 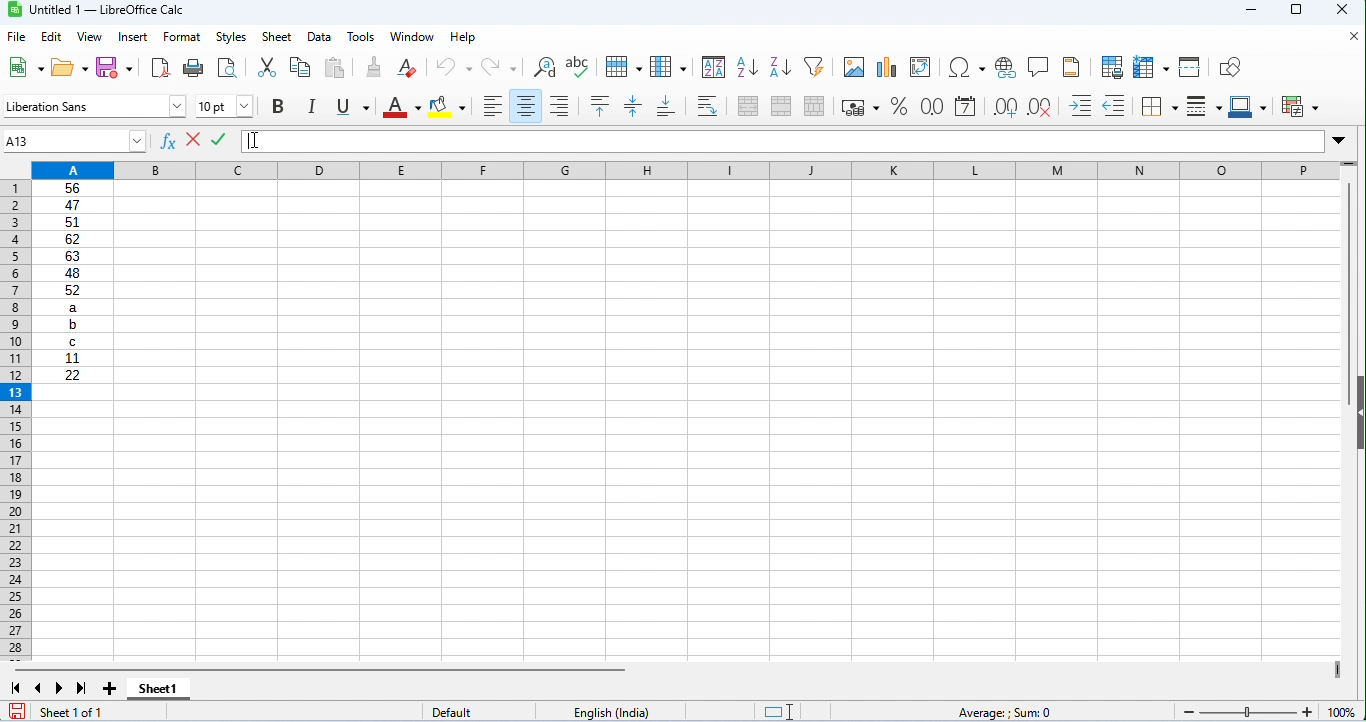 I want to click on spelling, so click(x=580, y=67).